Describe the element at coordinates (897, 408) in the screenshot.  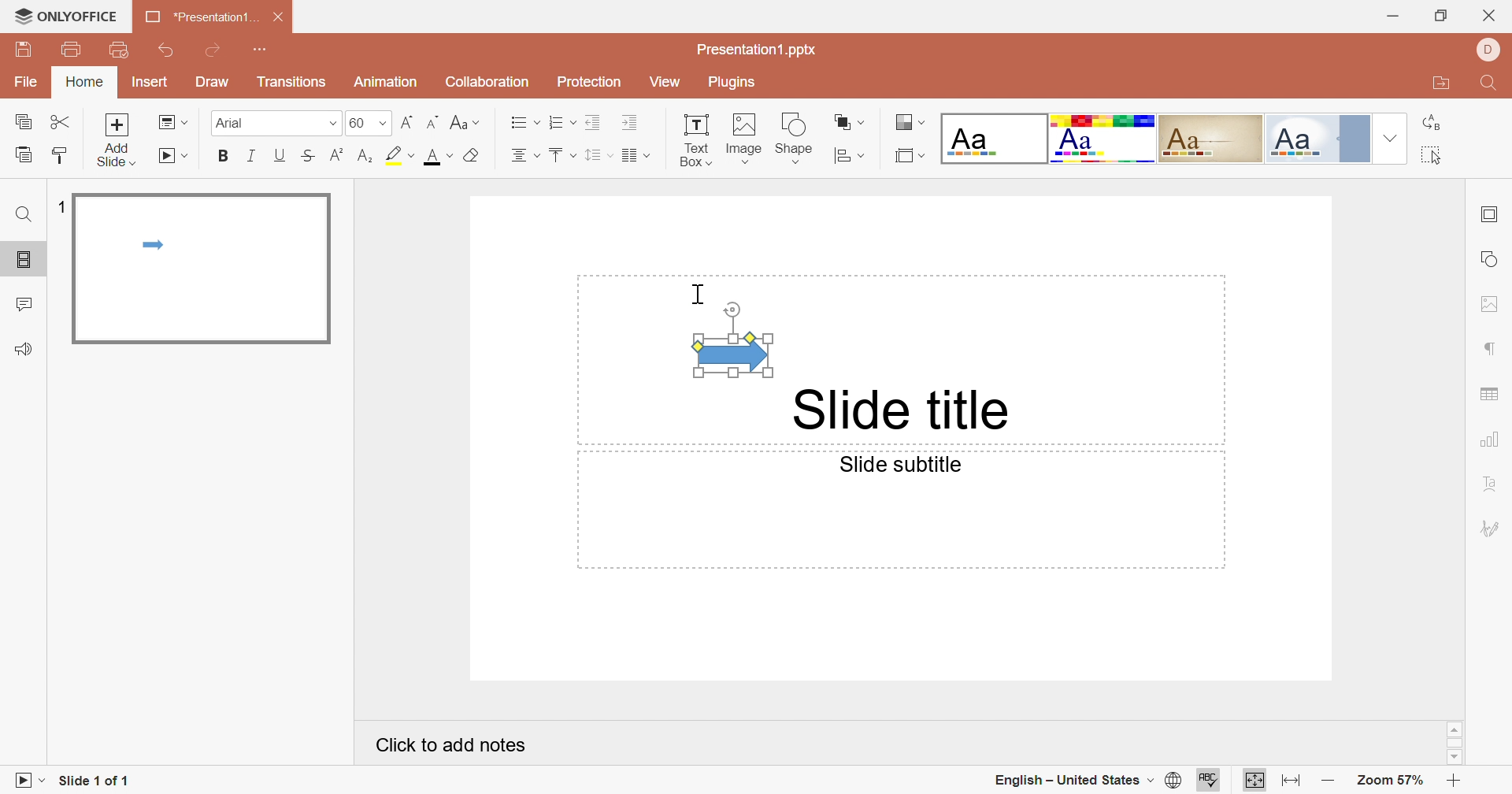
I see `Slide title` at that location.